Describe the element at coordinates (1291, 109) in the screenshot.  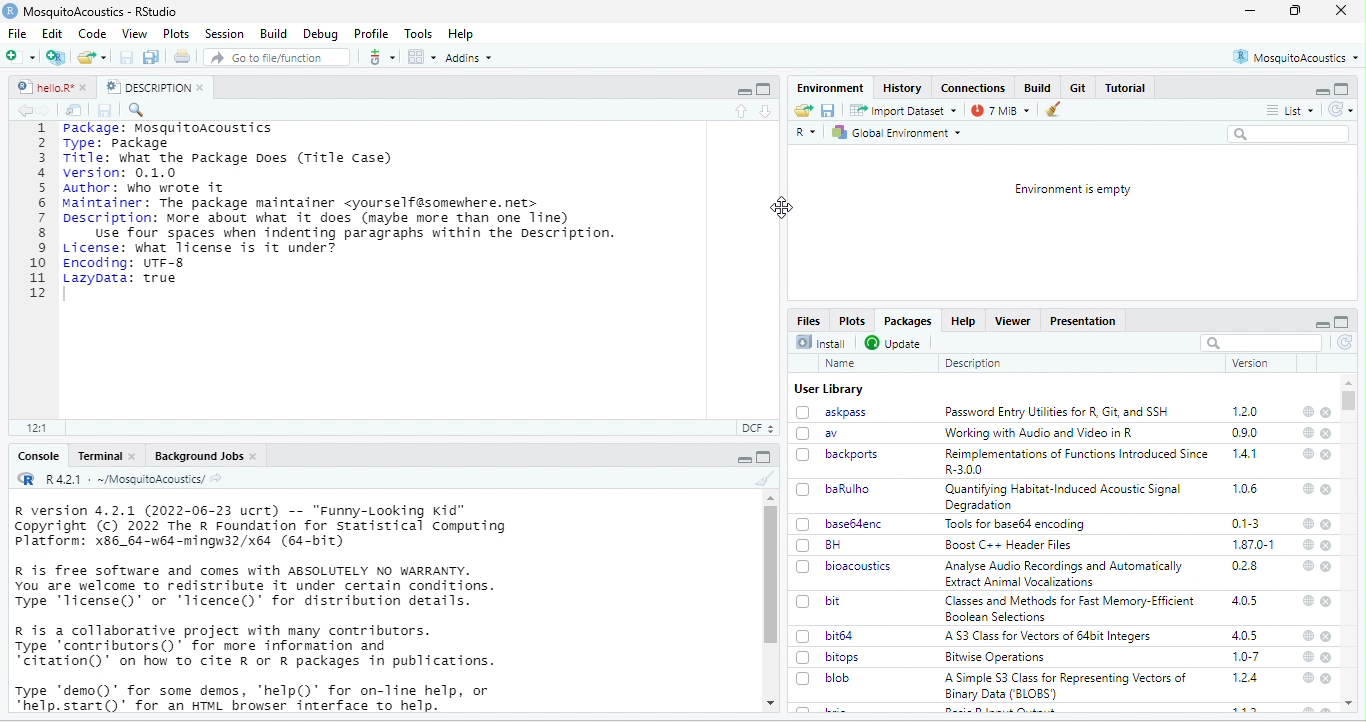
I see `List` at that location.